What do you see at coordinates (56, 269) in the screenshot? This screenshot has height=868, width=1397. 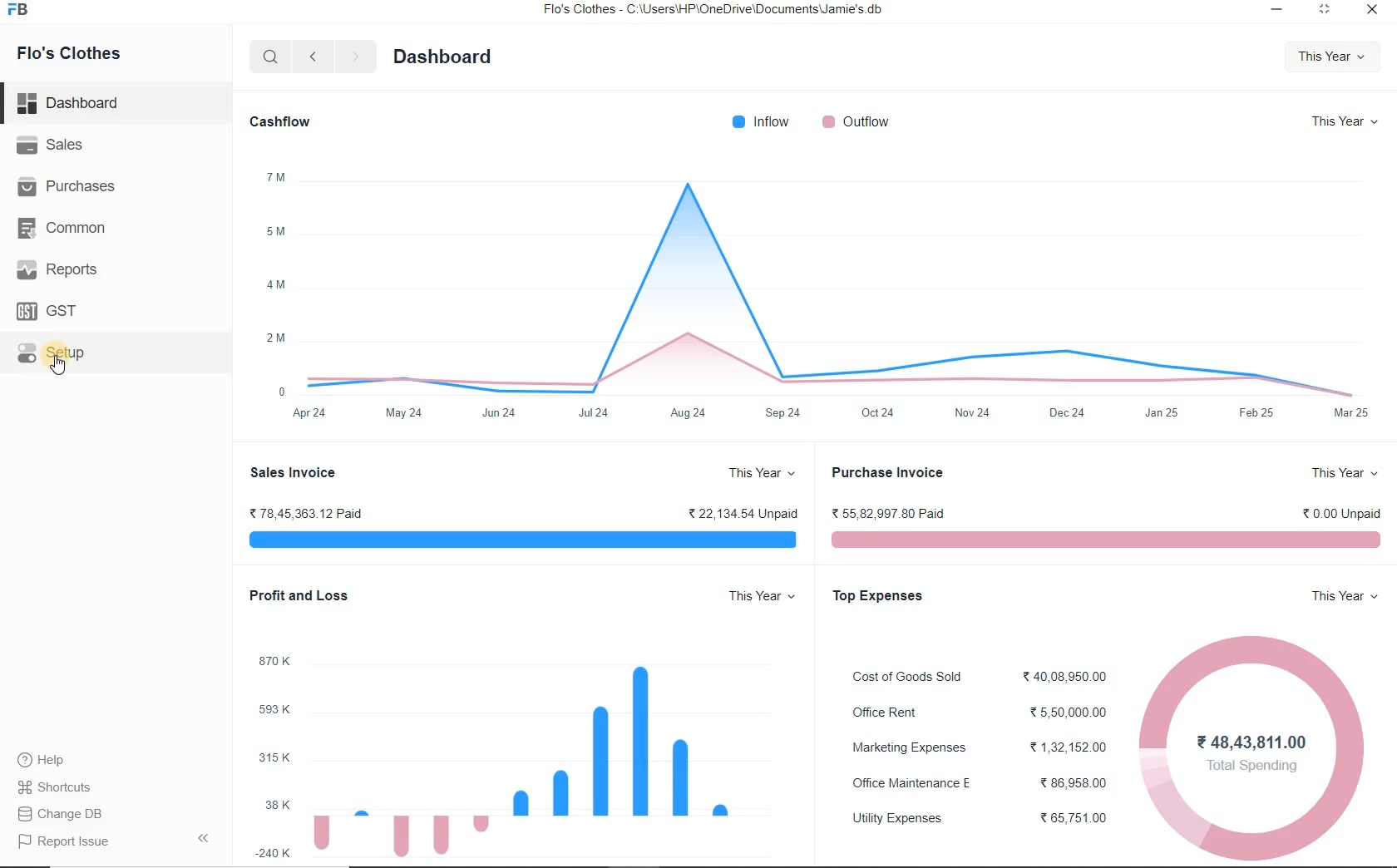 I see `Reports` at bounding box center [56, 269].